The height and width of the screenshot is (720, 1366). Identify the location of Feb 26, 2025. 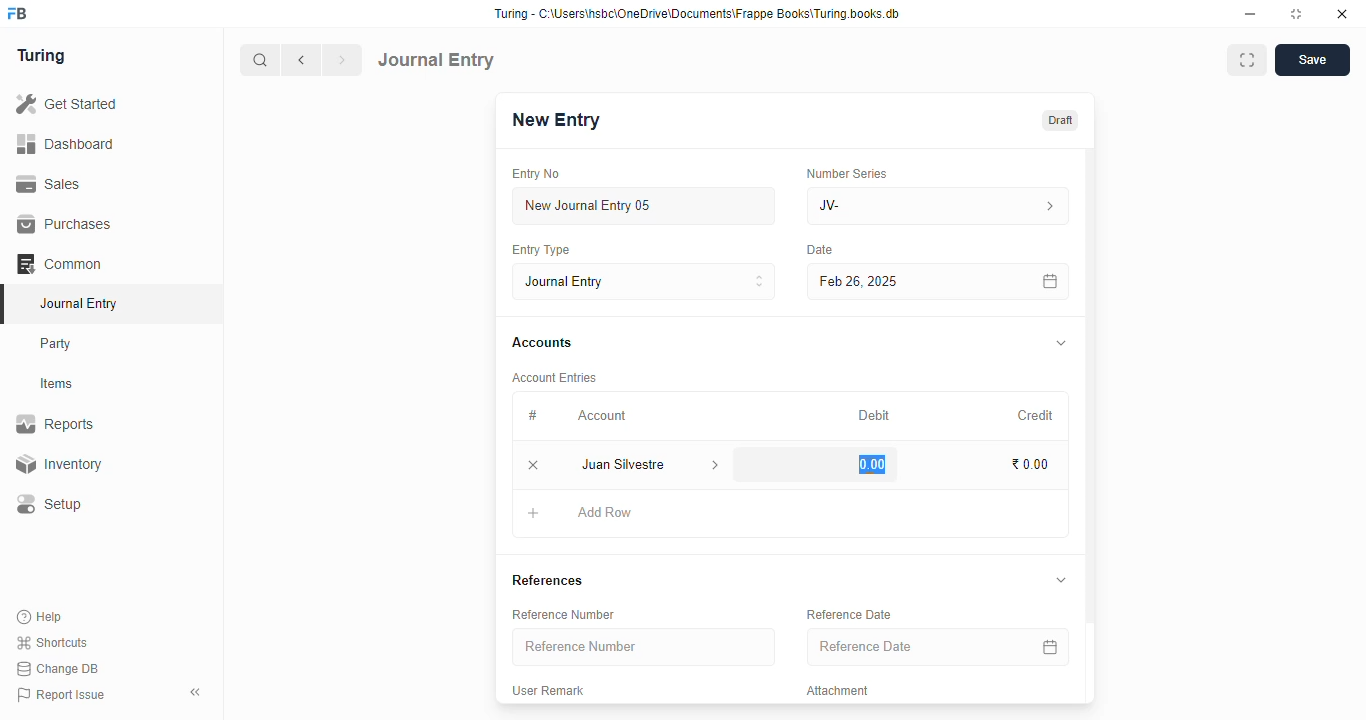
(895, 281).